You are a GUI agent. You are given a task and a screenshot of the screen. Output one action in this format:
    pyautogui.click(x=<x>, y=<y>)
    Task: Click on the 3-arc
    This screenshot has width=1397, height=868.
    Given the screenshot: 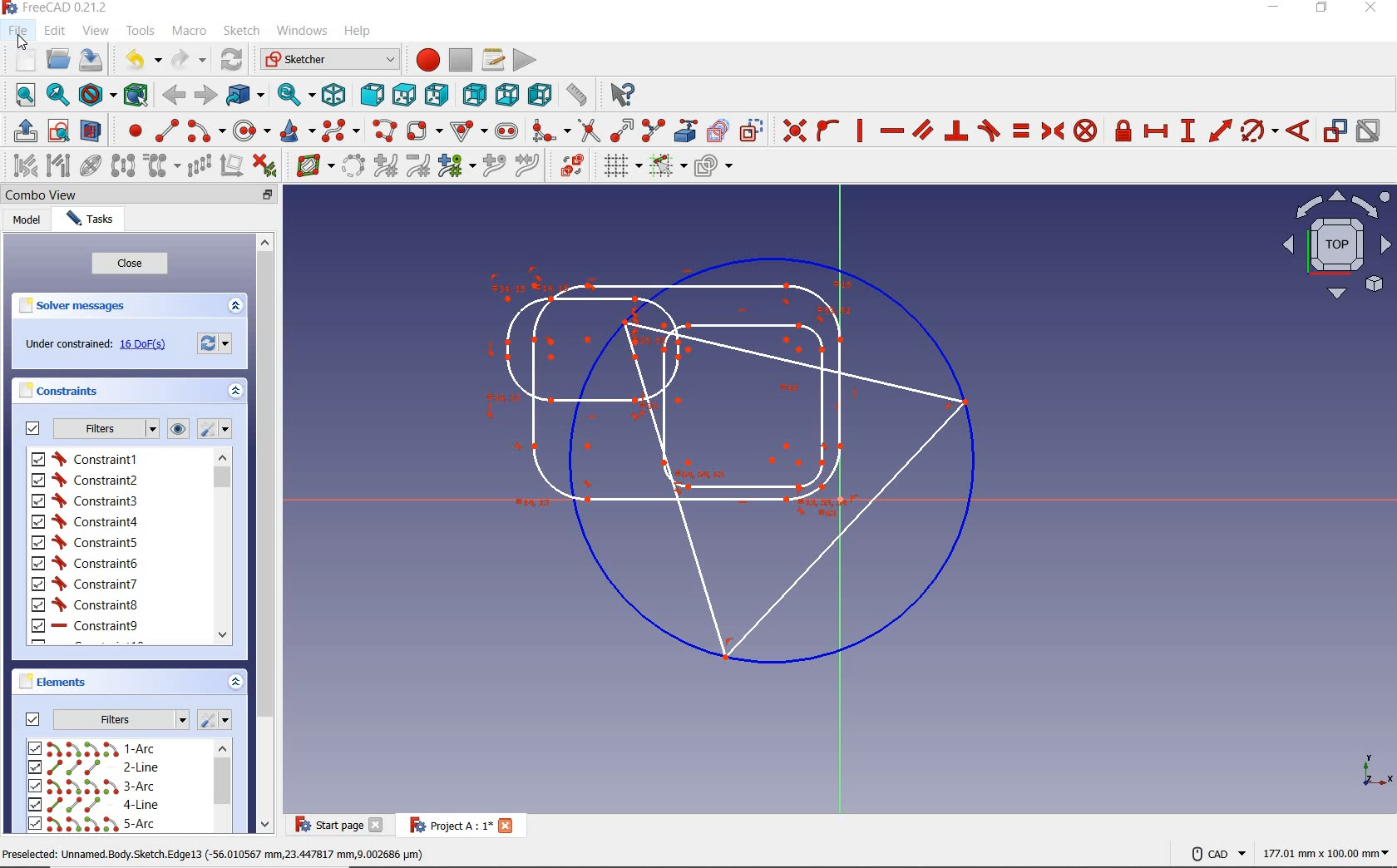 What is the action you would take?
    pyautogui.click(x=92, y=787)
    